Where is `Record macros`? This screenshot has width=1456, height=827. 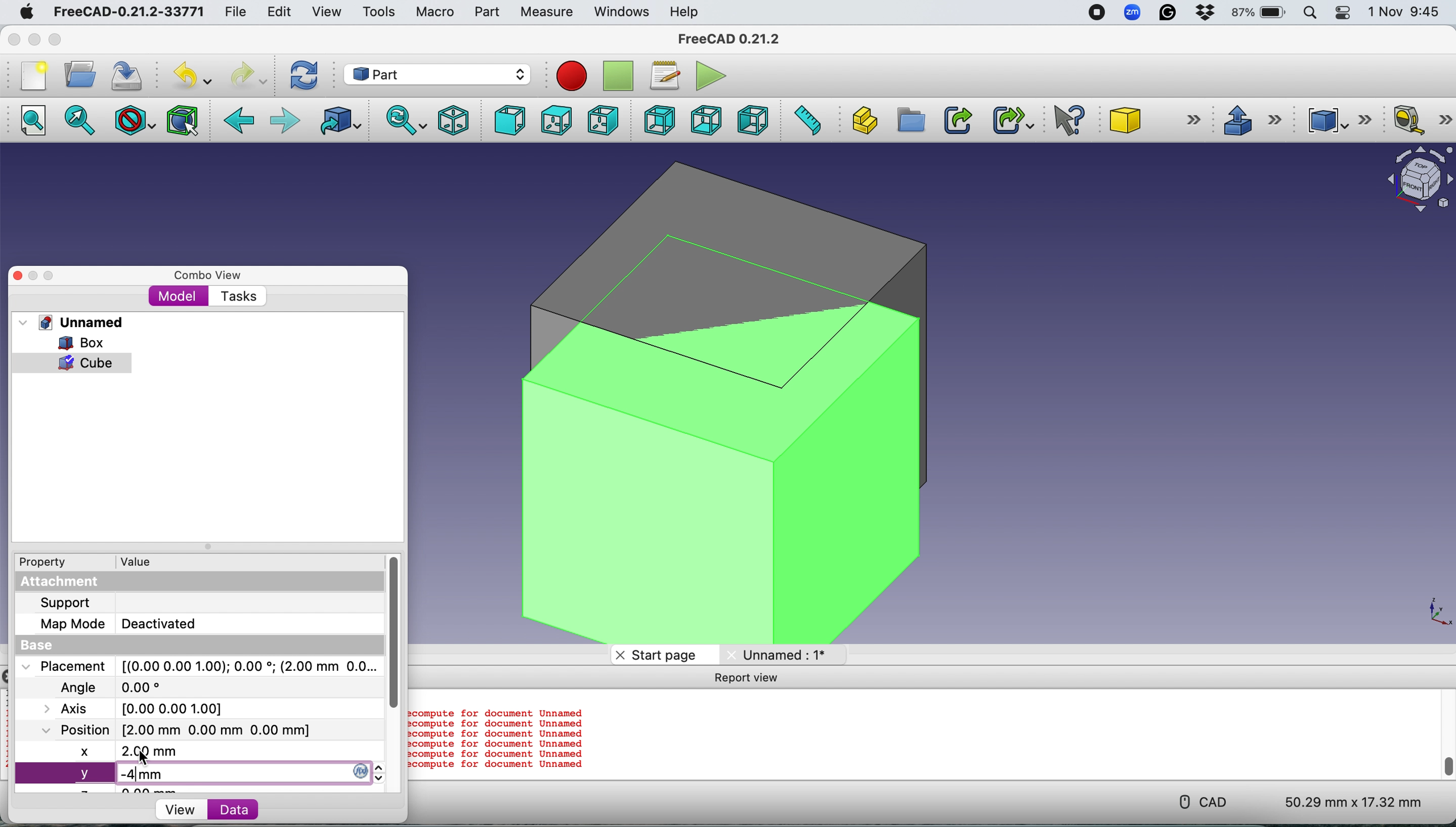
Record macros is located at coordinates (575, 77).